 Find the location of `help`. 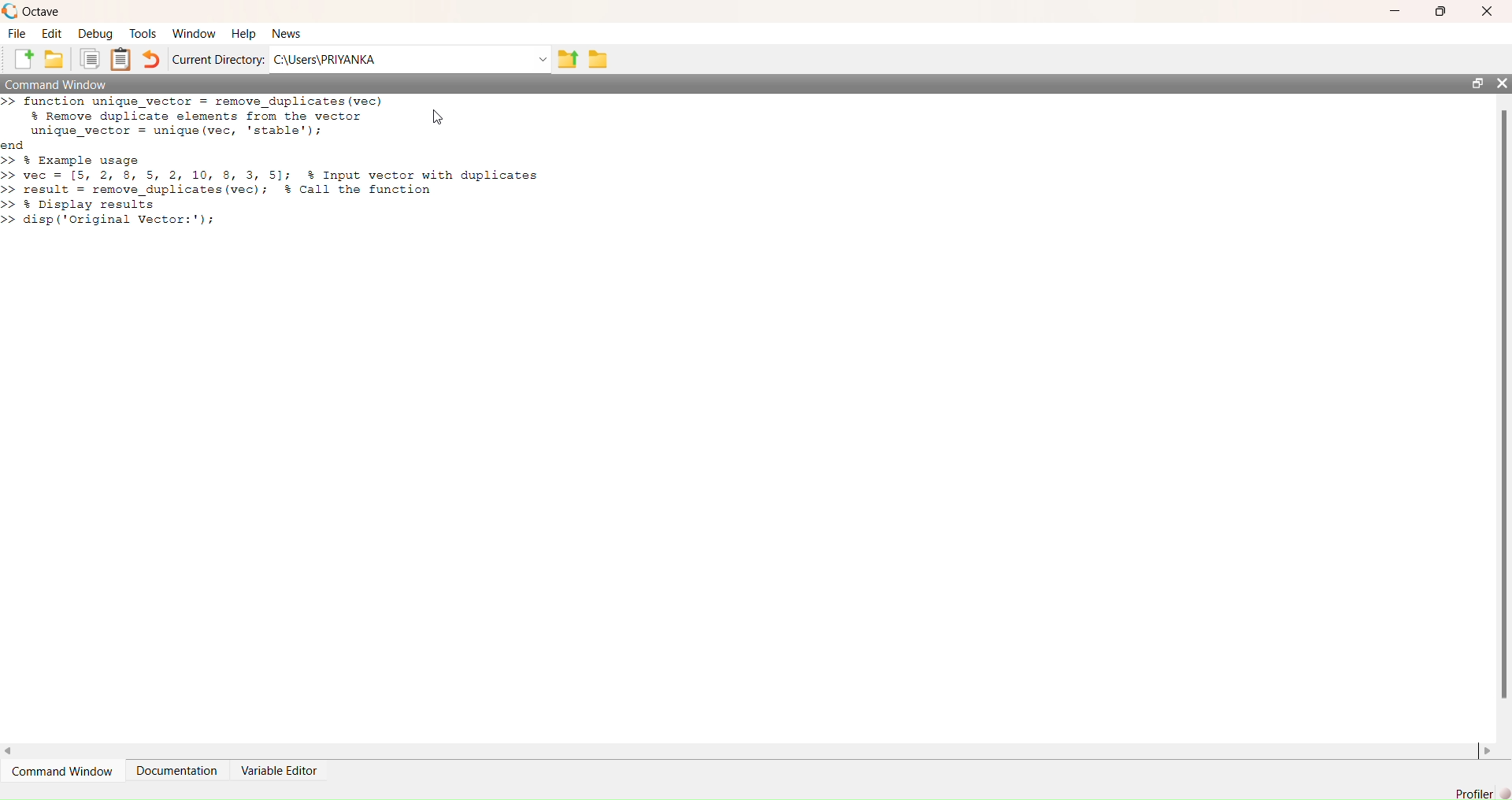

help is located at coordinates (244, 35).